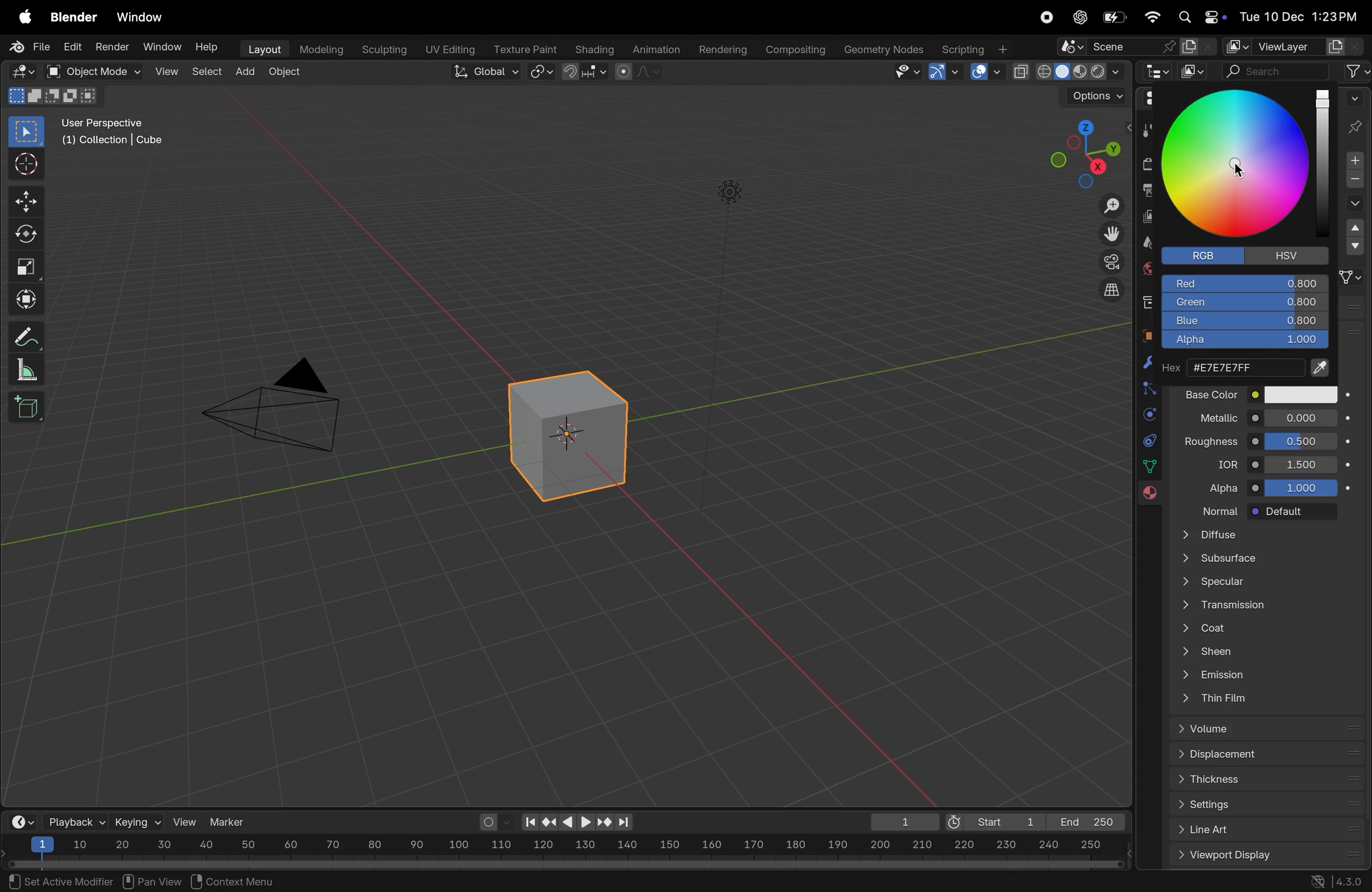 This screenshot has width=1372, height=892. What do you see at coordinates (1113, 289) in the screenshot?
I see `orthographic view` at bounding box center [1113, 289].